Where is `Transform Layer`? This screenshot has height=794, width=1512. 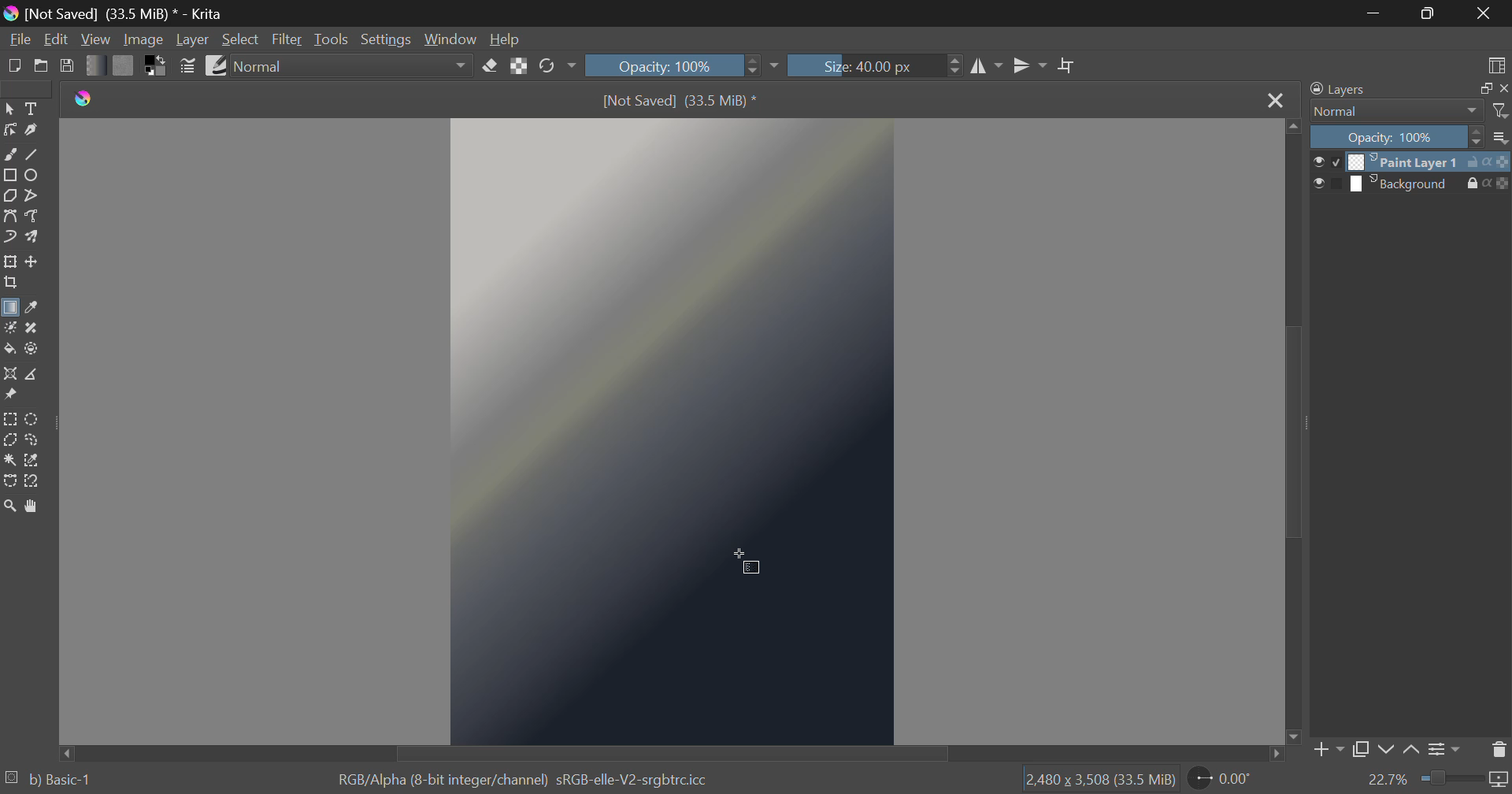
Transform Layer is located at coordinates (9, 262).